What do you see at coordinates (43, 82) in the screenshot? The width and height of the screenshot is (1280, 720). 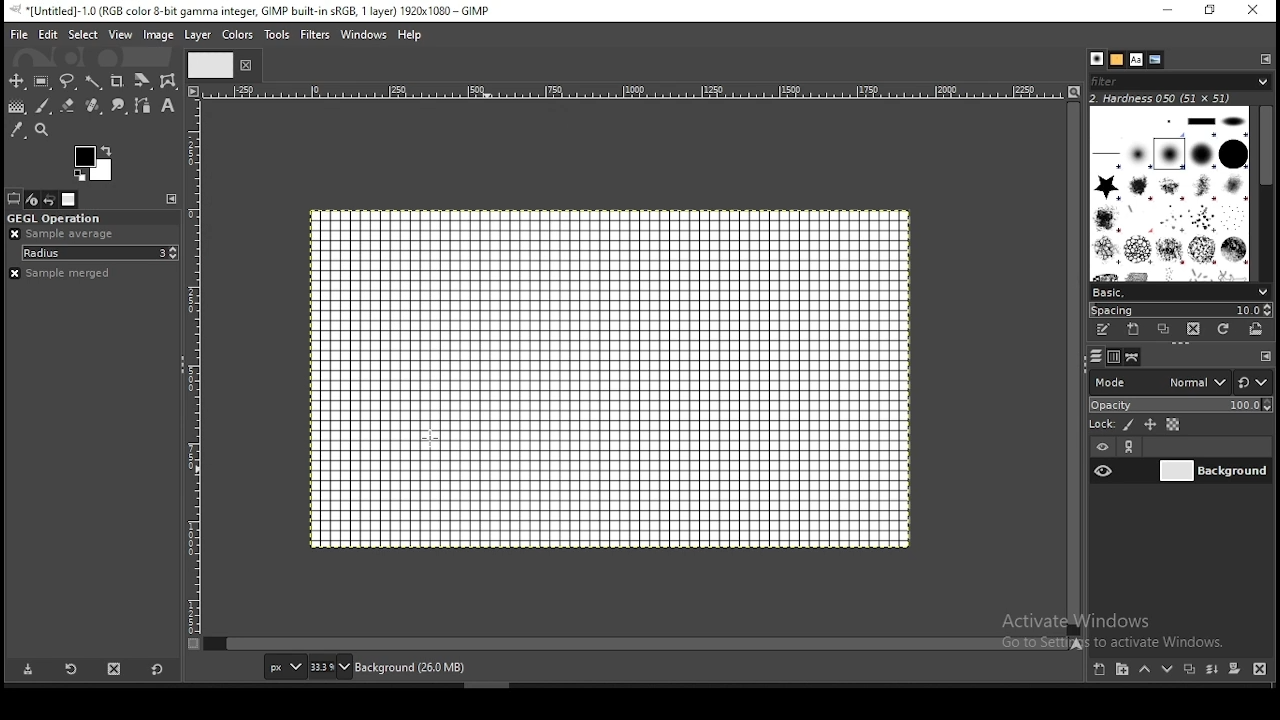 I see `rectangular selection tool` at bounding box center [43, 82].